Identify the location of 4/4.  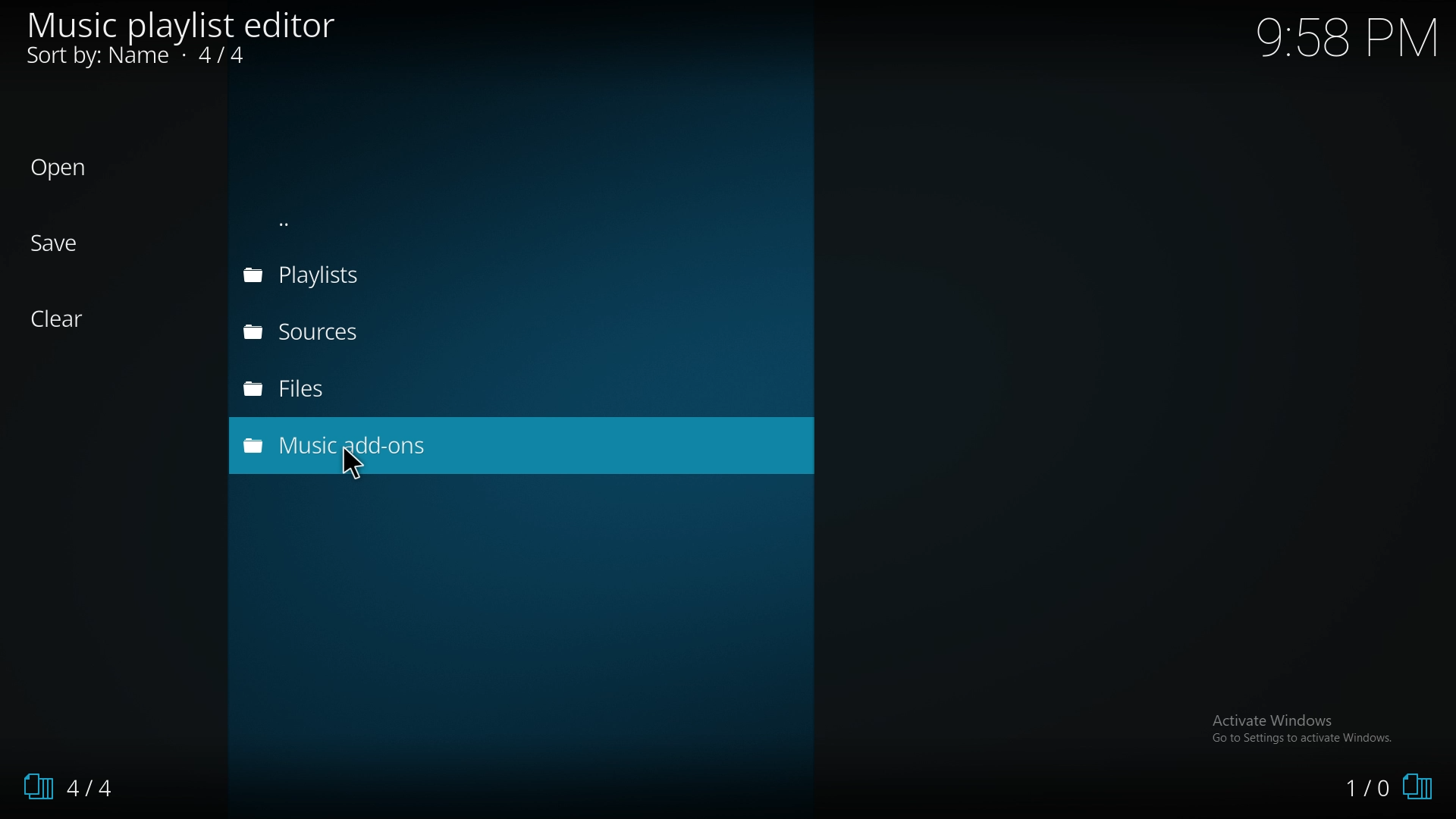
(77, 785).